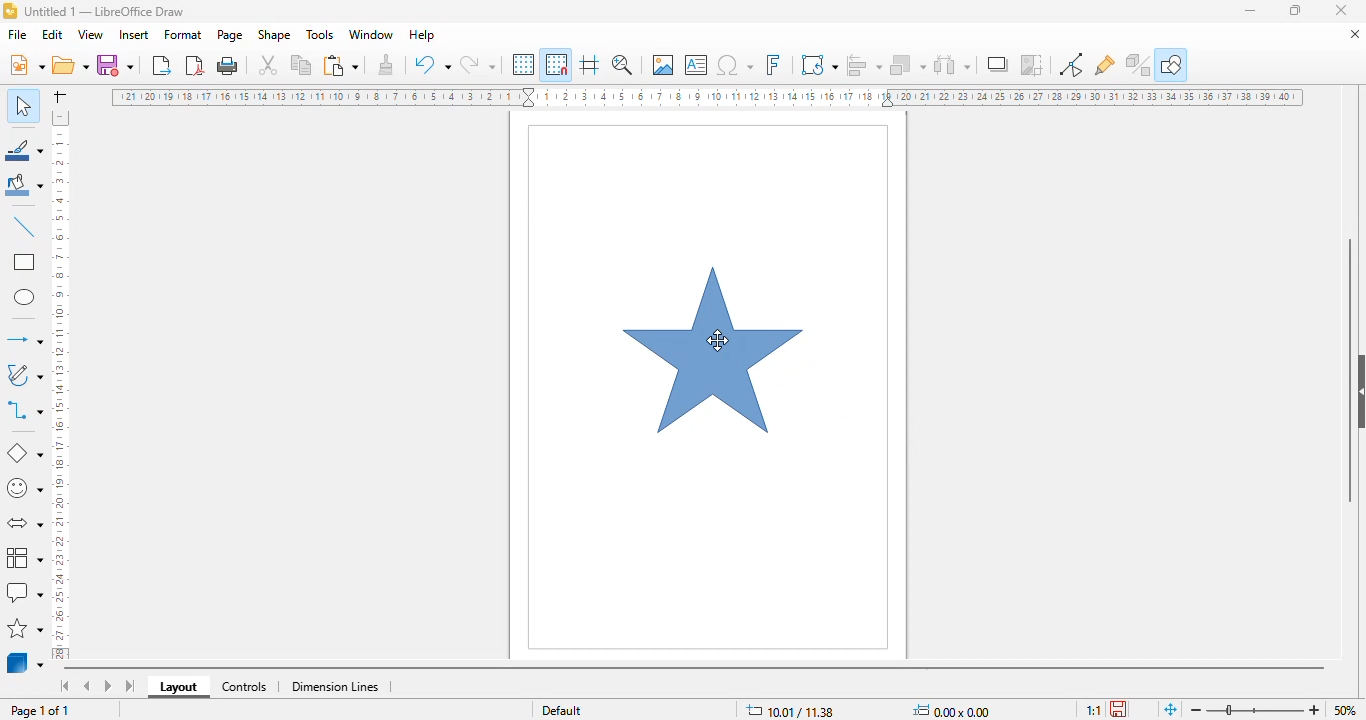 Image resolution: width=1366 pixels, height=720 pixels. What do you see at coordinates (25, 297) in the screenshot?
I see `ellipse` at bounding box center [25, 297].